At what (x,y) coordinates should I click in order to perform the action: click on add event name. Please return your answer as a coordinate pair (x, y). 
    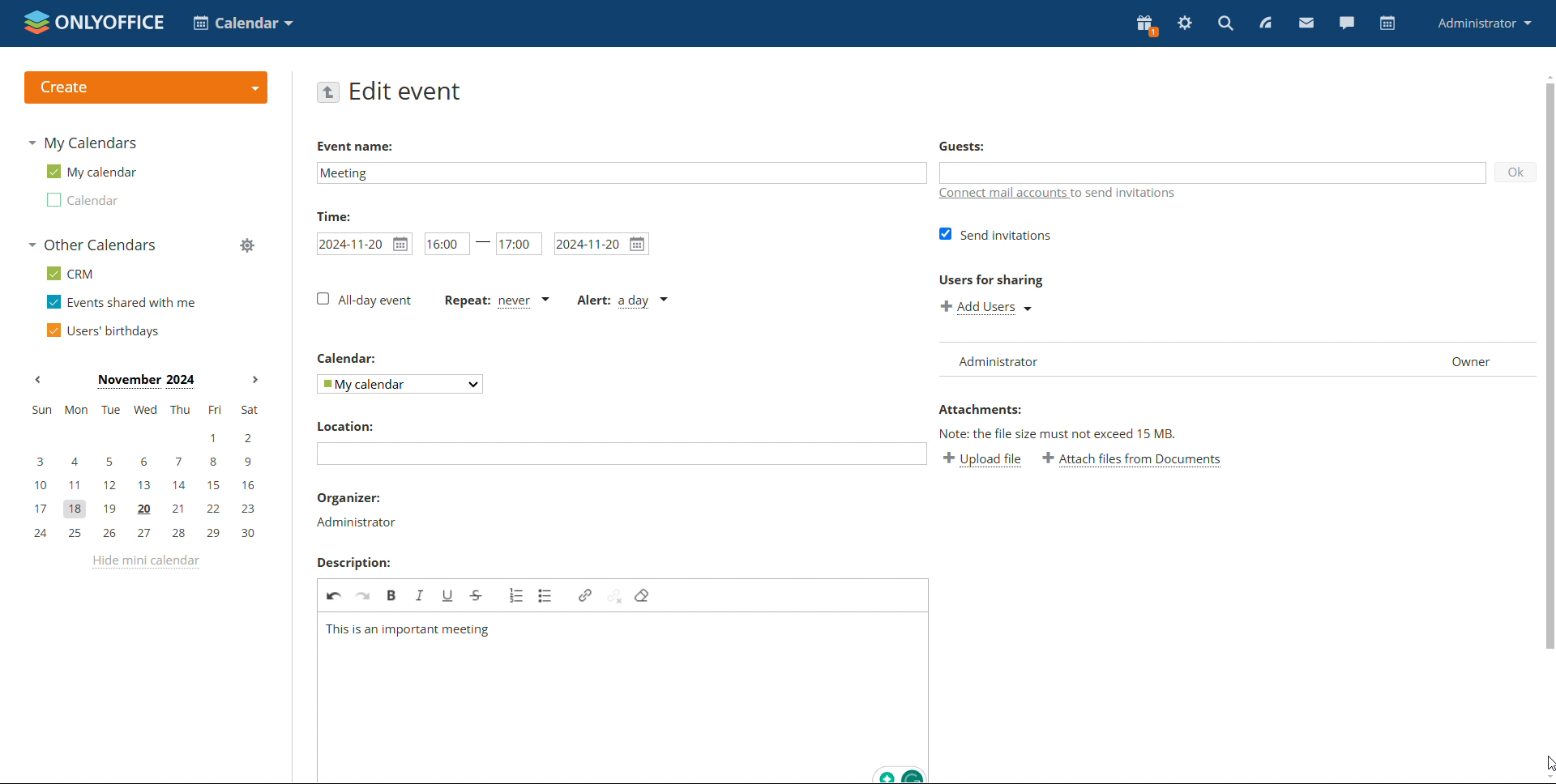
    Looking at the image, I should click on (622, 173).